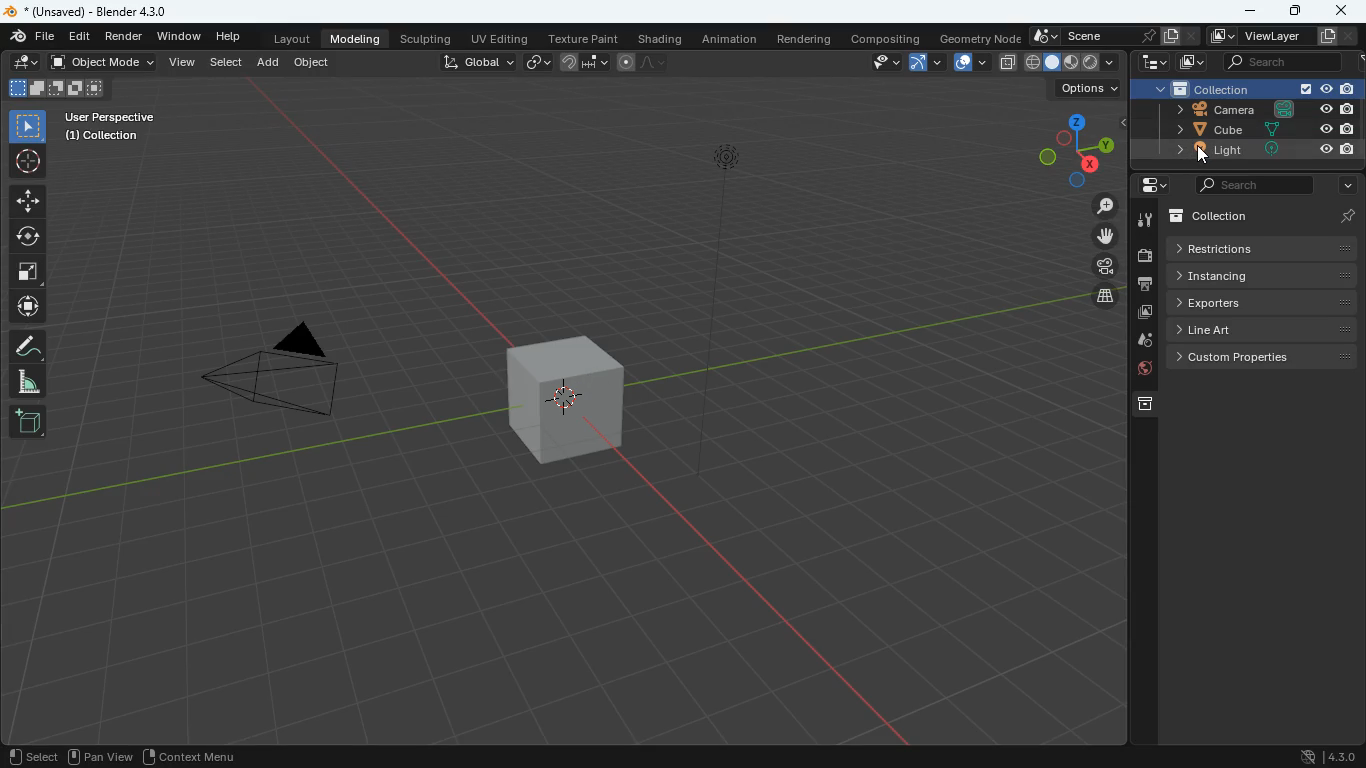 The image size is (1366, 768). Describe the element at coordinates (1264, 329) in the screenshot. I see `line art` at that location.